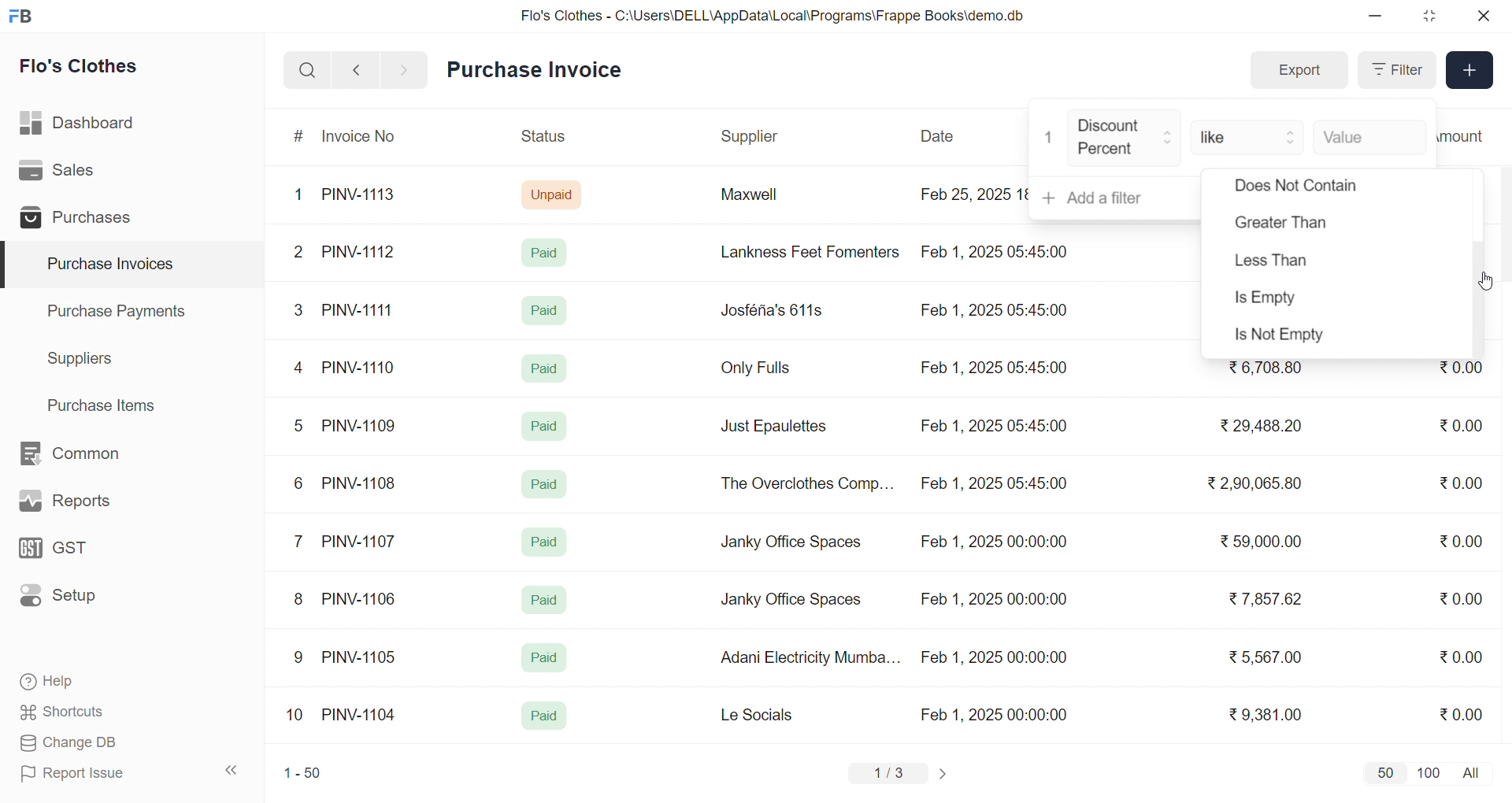 Image resolution: width=1512 pixels, height=803 pixels. I want to click on navigate backward, so click(356, 69).